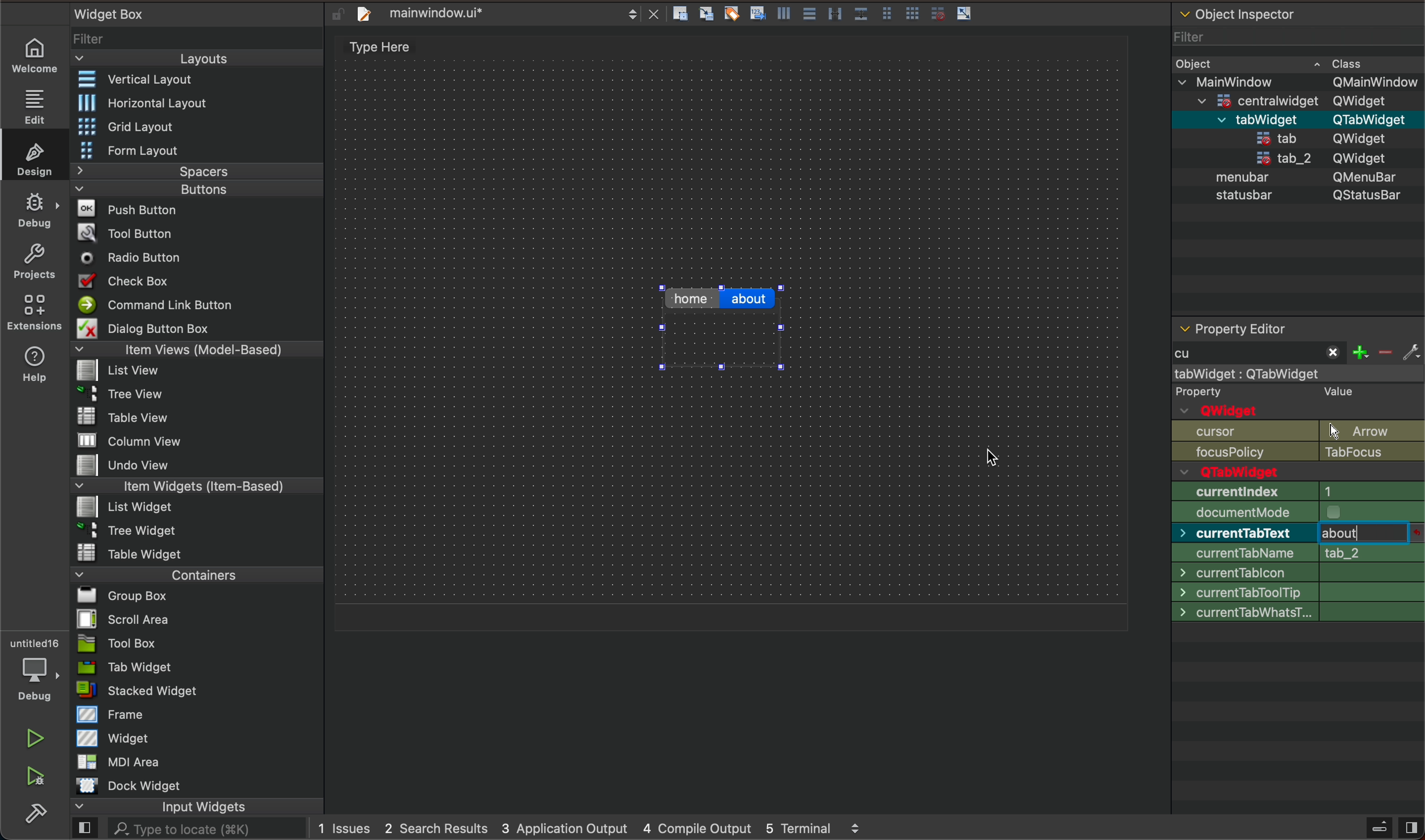 Image resolution: width=1425 pixels, height=840 pixels. What do you see at coordinates (1299, 511) in the screenshot?
I see `size policy` at bounding box center [1299, 511].